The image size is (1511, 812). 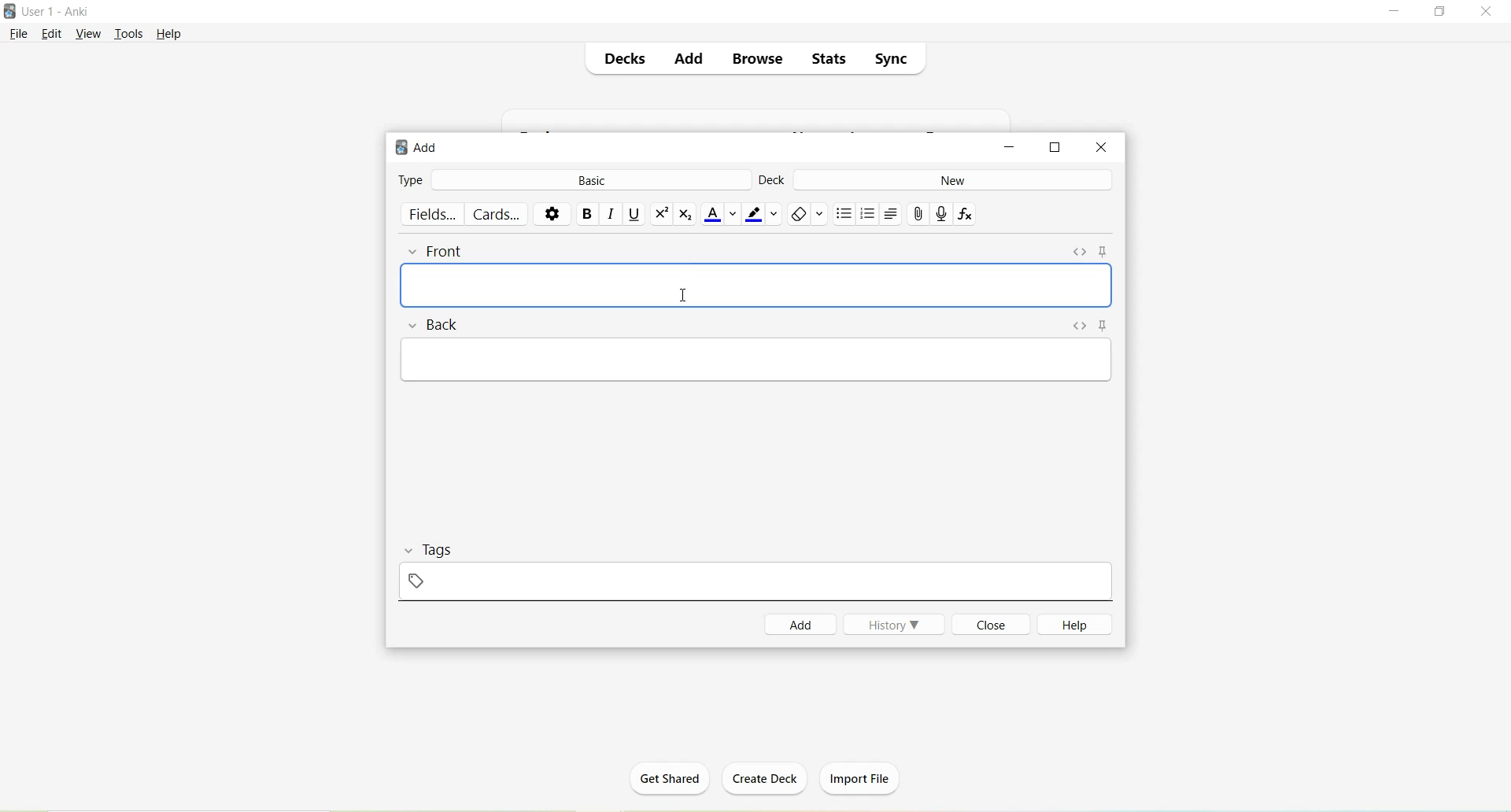 What do you see at coordinates (1101, 148) in the screenshot?
I see `Close` at bounding box center [1101, 148].